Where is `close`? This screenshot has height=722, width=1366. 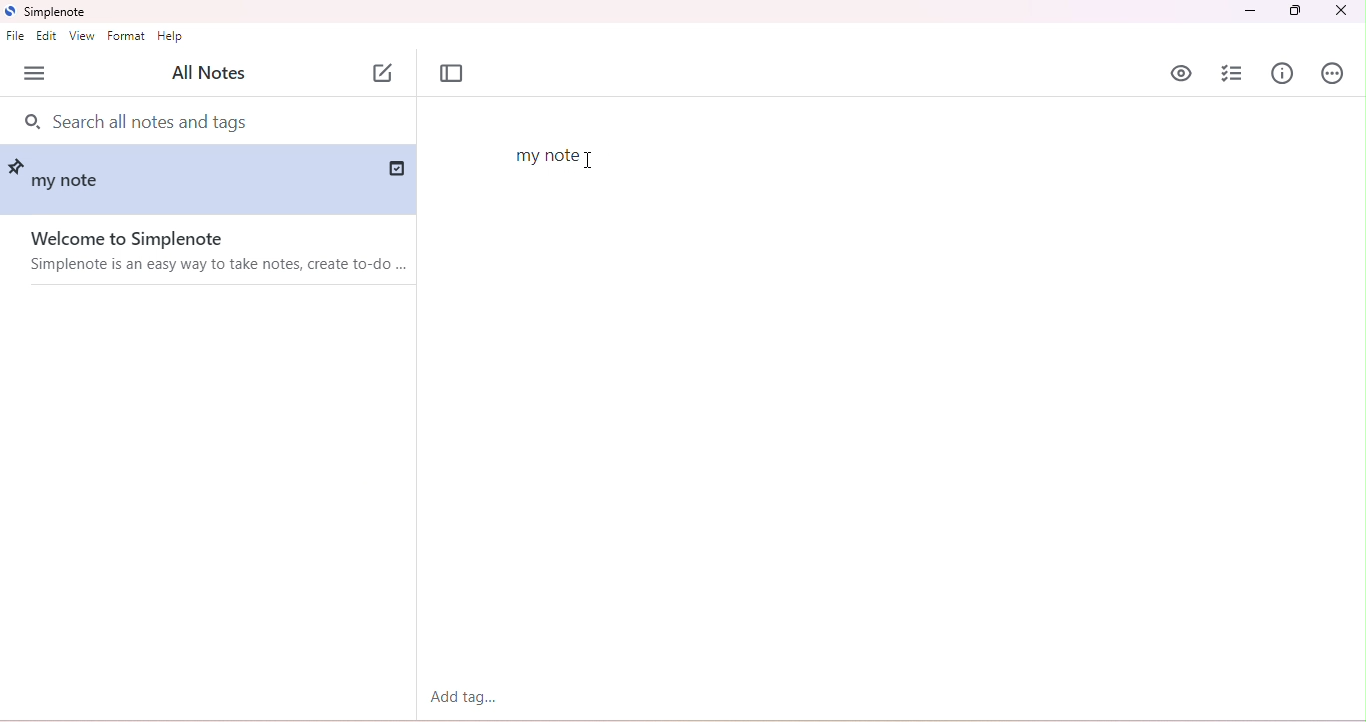 close is located at coordinates (1340, 12).